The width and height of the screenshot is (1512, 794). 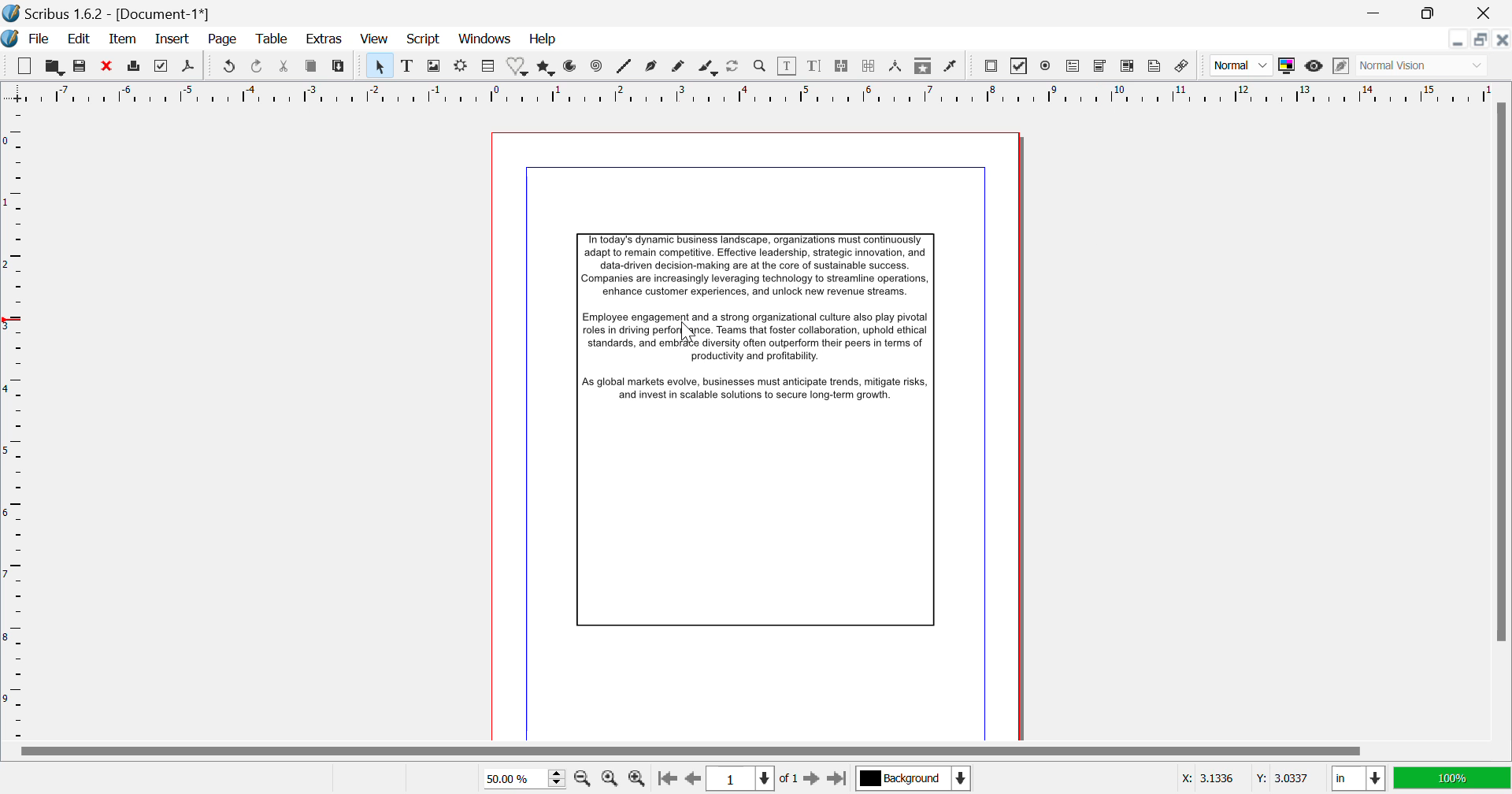 I want to click on Edit, so click(x=79, y=41).